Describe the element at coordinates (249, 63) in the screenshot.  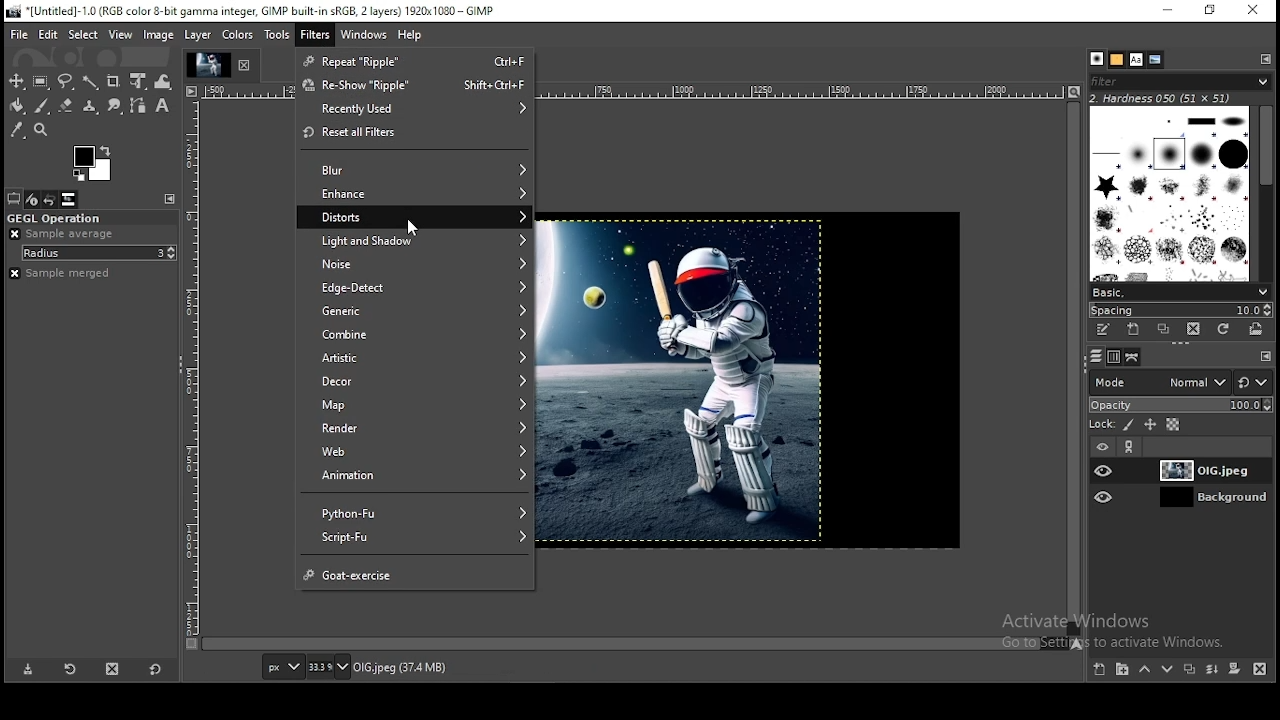
I see `close` at that location.